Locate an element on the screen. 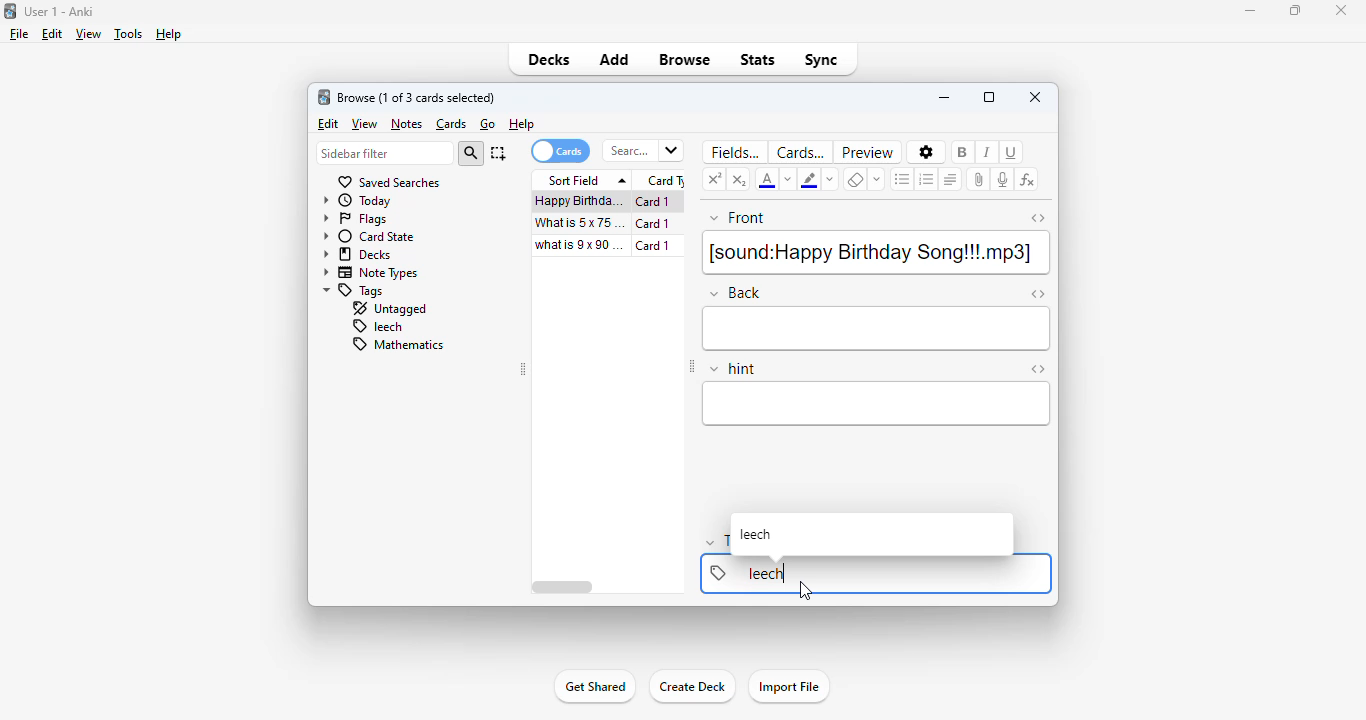  create deck is located at coordinates (691, 687).